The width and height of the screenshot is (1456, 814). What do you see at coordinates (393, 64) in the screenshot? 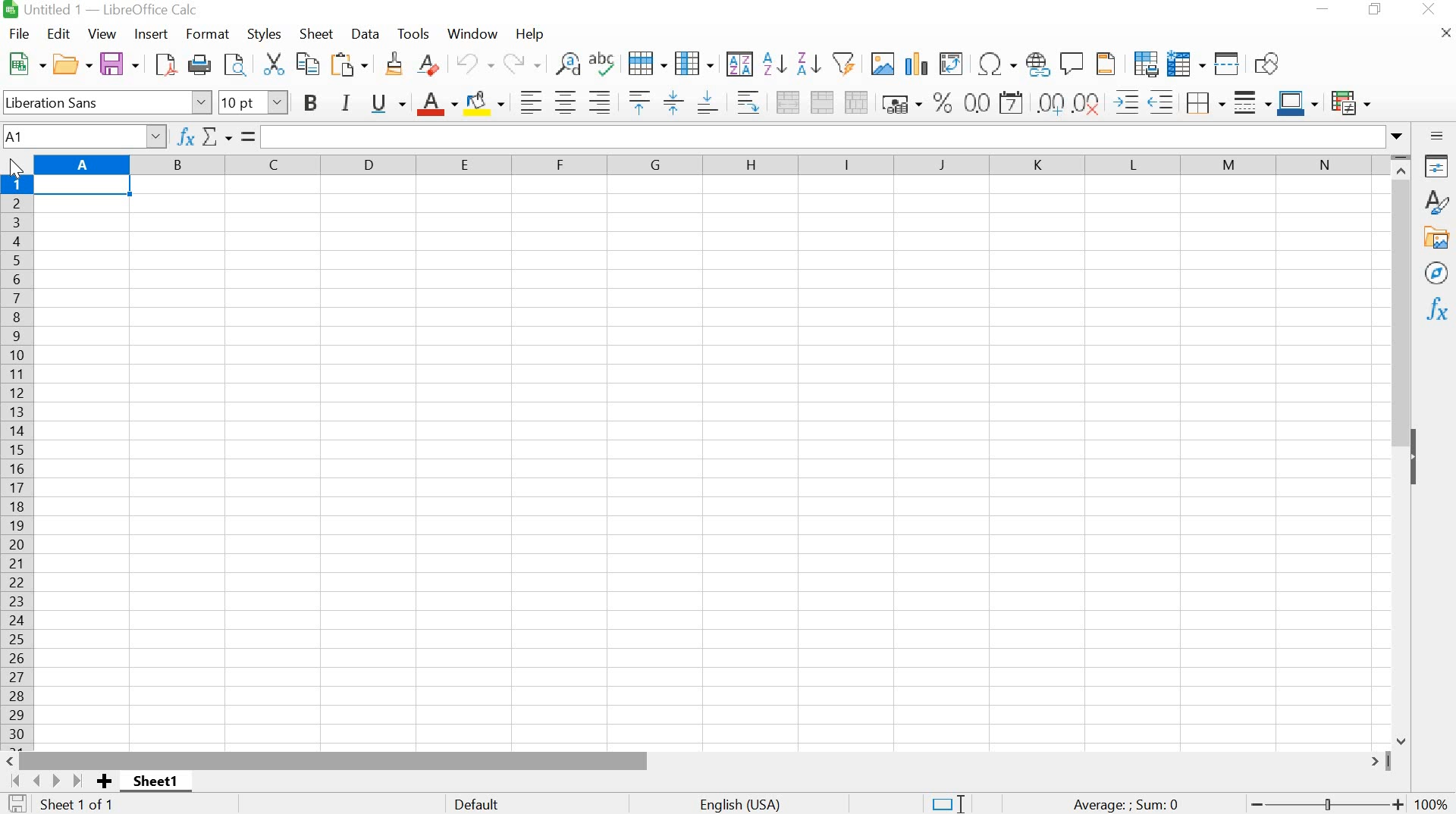
I see `Clone formatting` at bounding box center [393, 64].